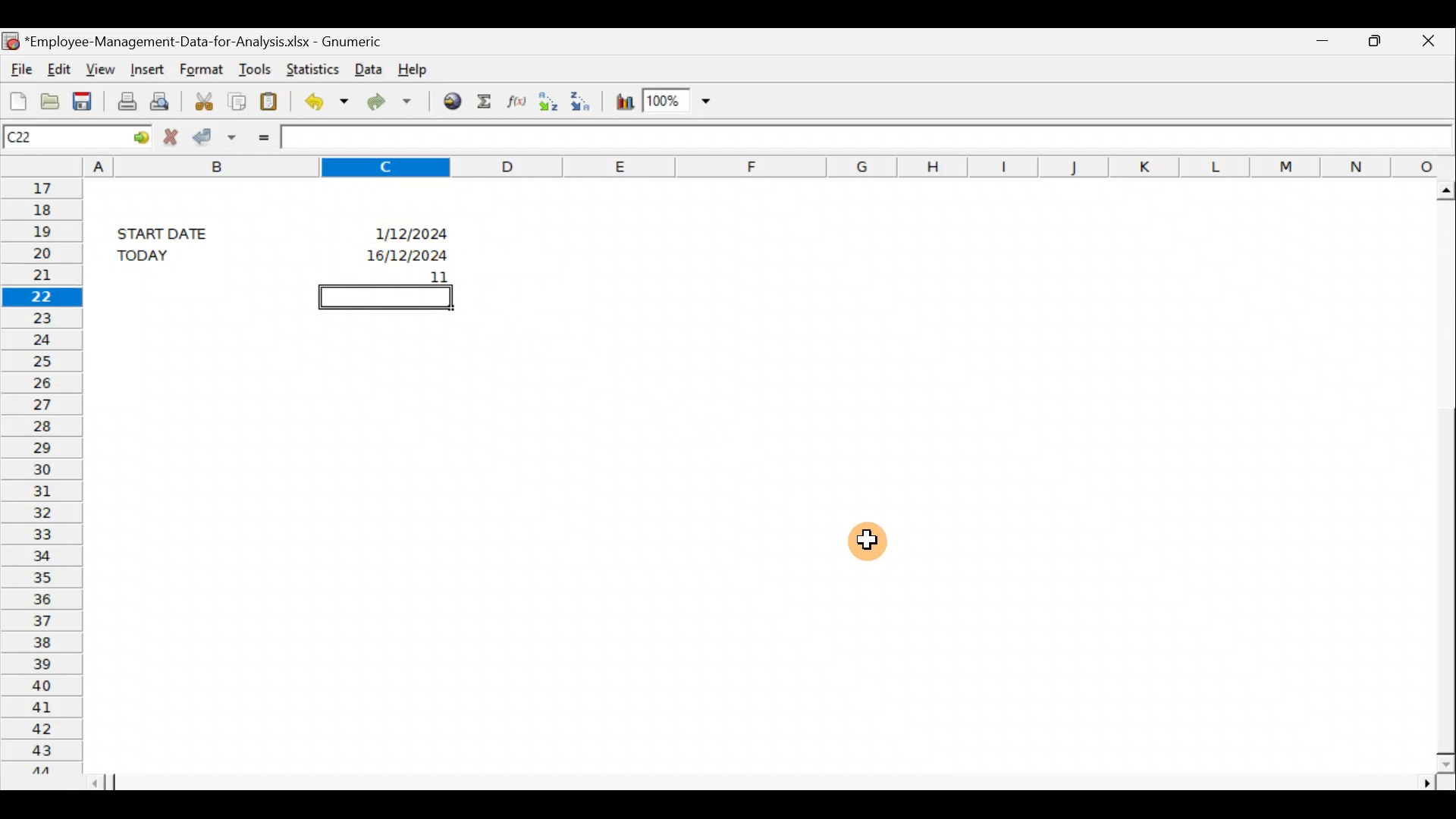  I want to click on Maximize, so click(1374, 42).